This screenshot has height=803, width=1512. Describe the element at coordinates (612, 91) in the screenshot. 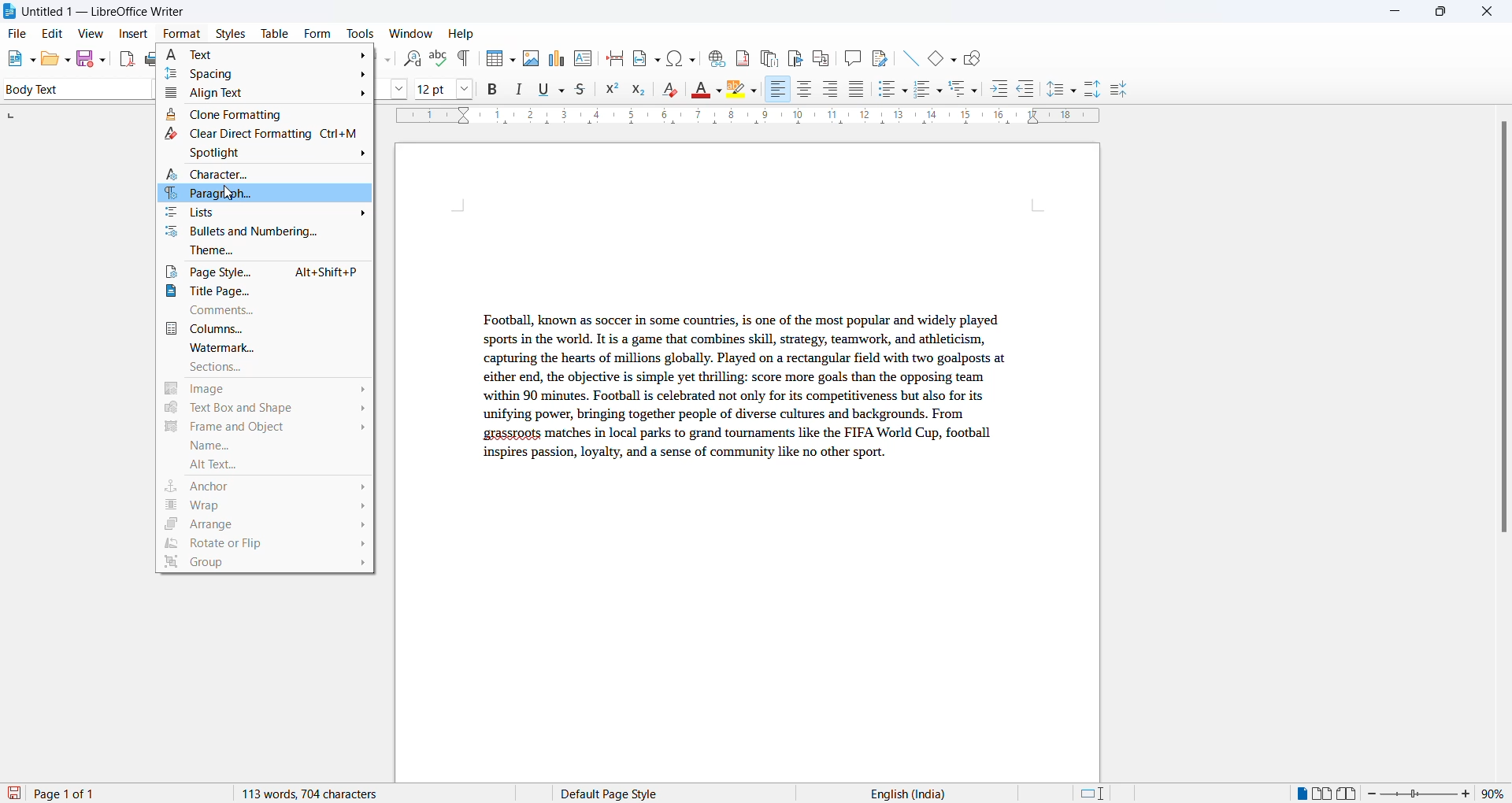

I see `superscript` at that location.